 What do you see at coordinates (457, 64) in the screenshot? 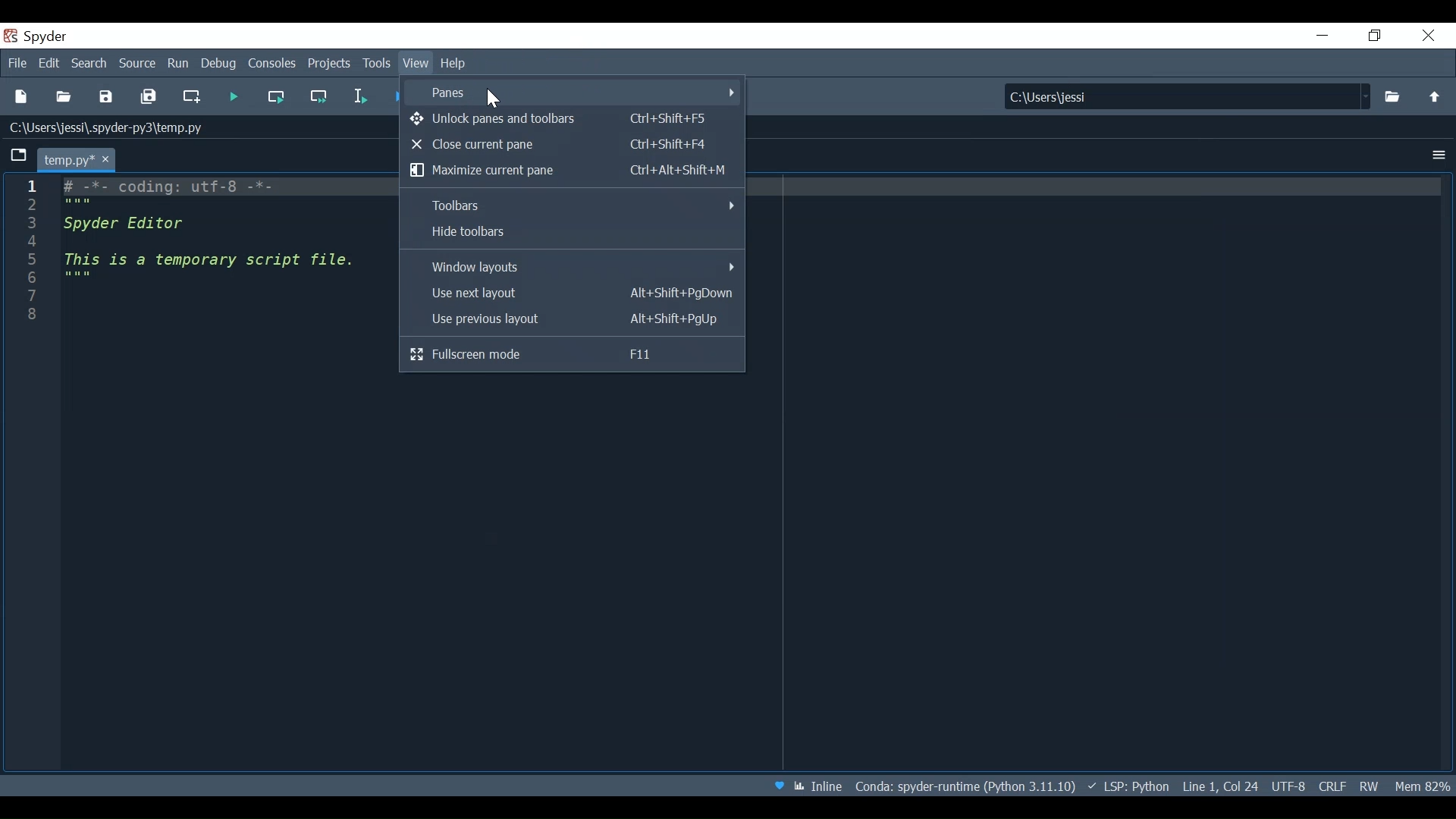
I see `Help` at bounding box center [457, 64].